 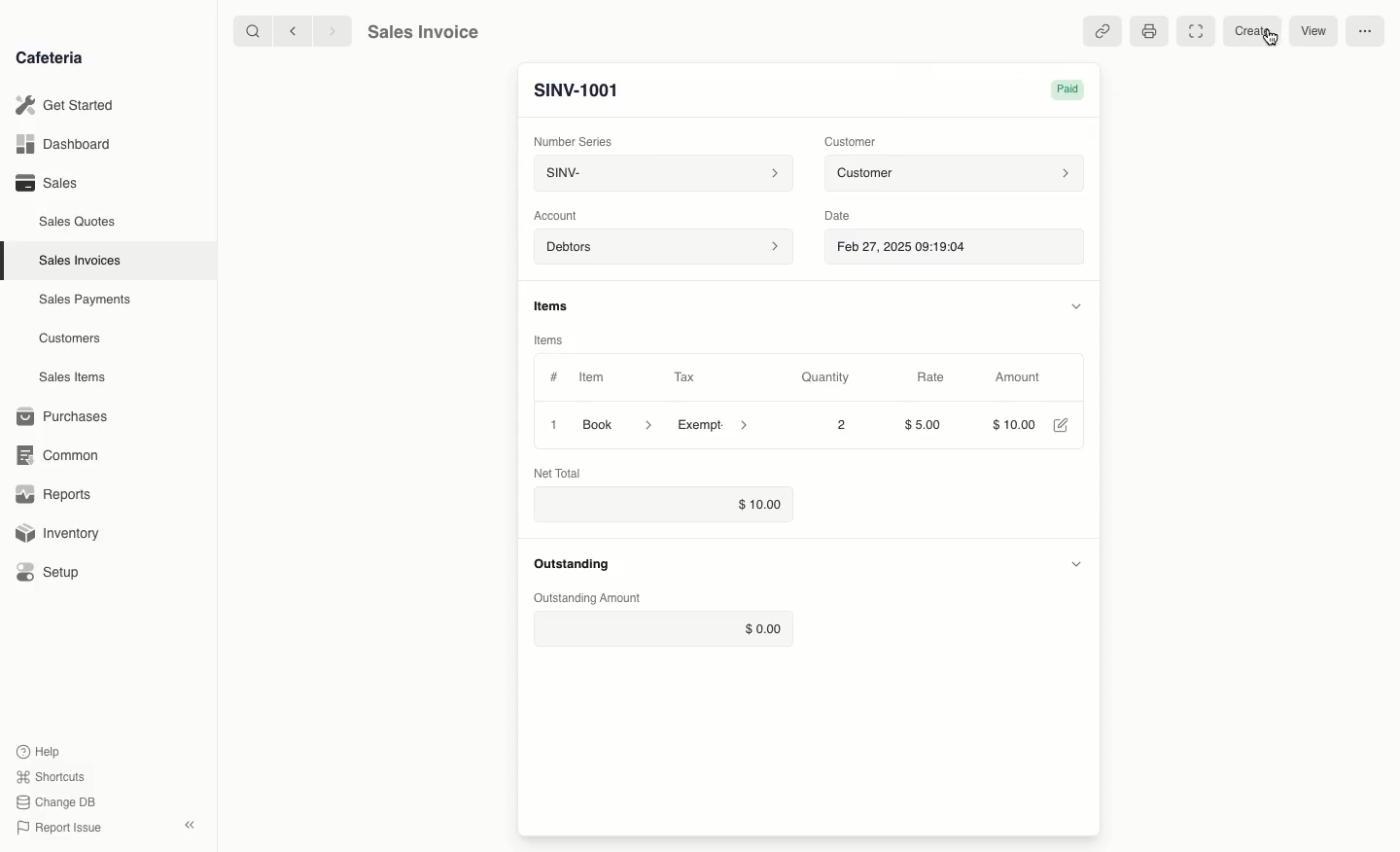 I want to click on ‘Number Series, so click(x=573, y=139).